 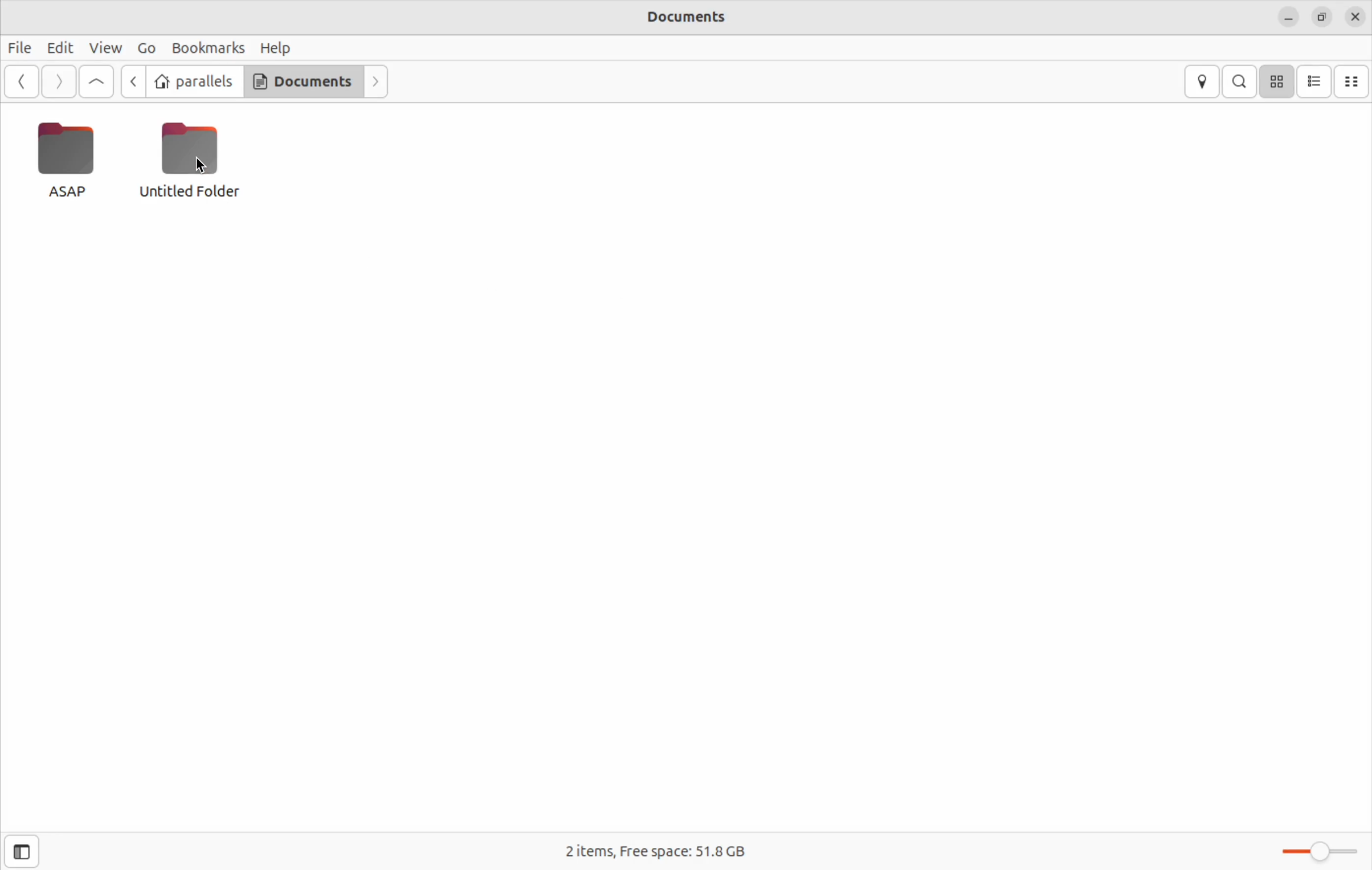 I want to click on go up, so click(x=96, y=83).